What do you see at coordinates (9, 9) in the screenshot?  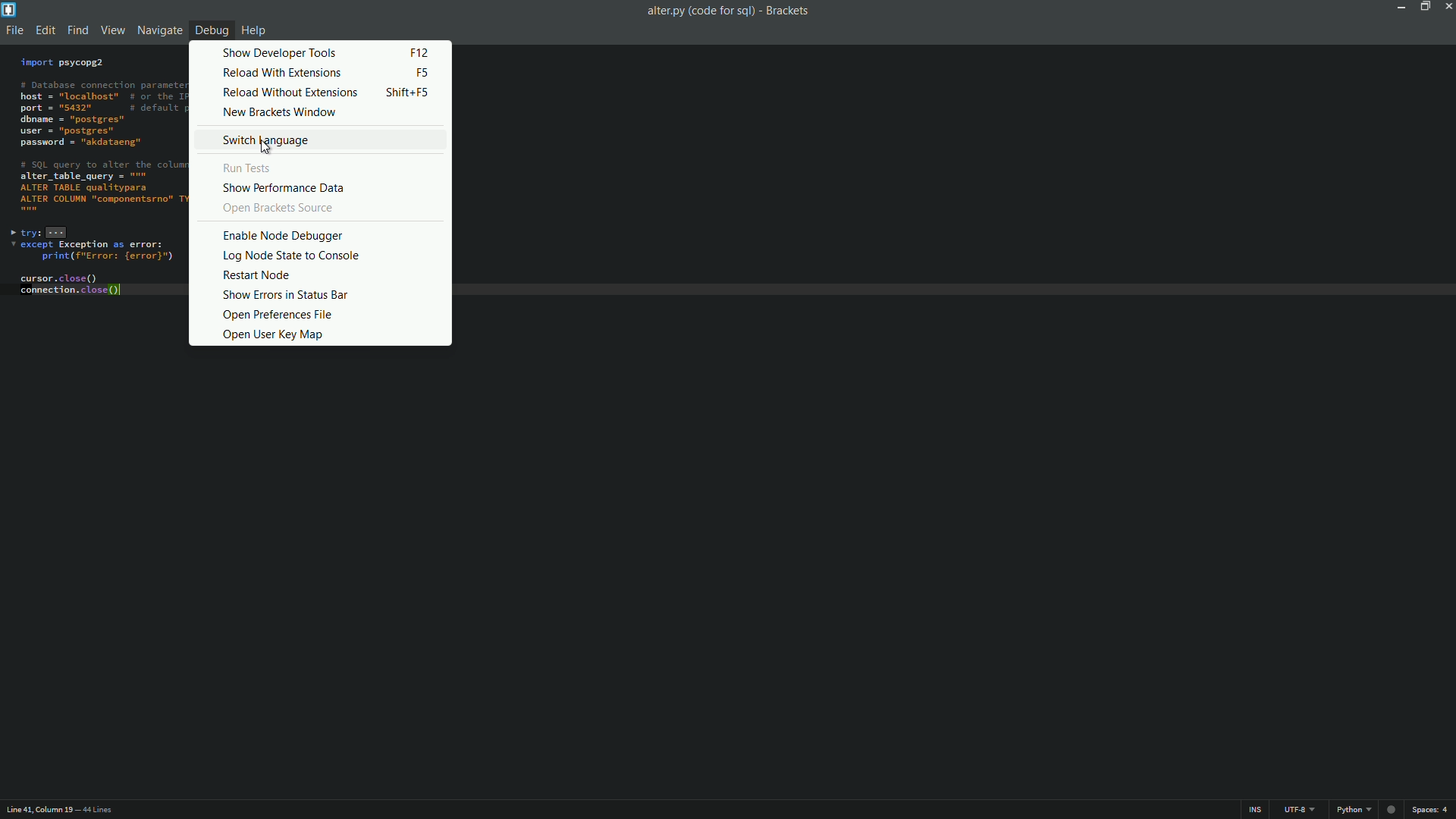 I see `app icon` at bounding box center [9, 9].